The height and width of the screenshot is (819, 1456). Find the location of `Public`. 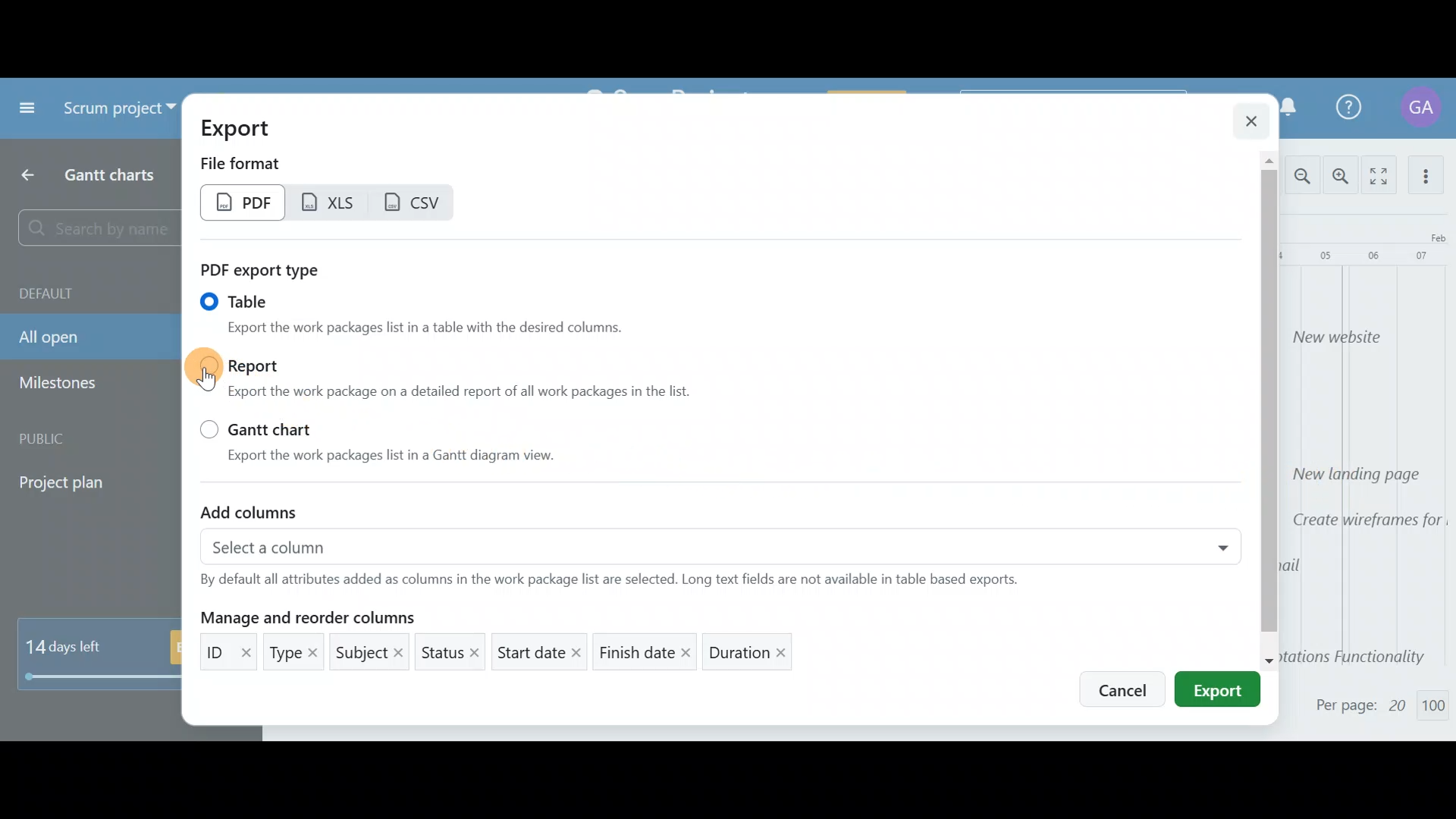

Public is located at coordinates (90, 435).